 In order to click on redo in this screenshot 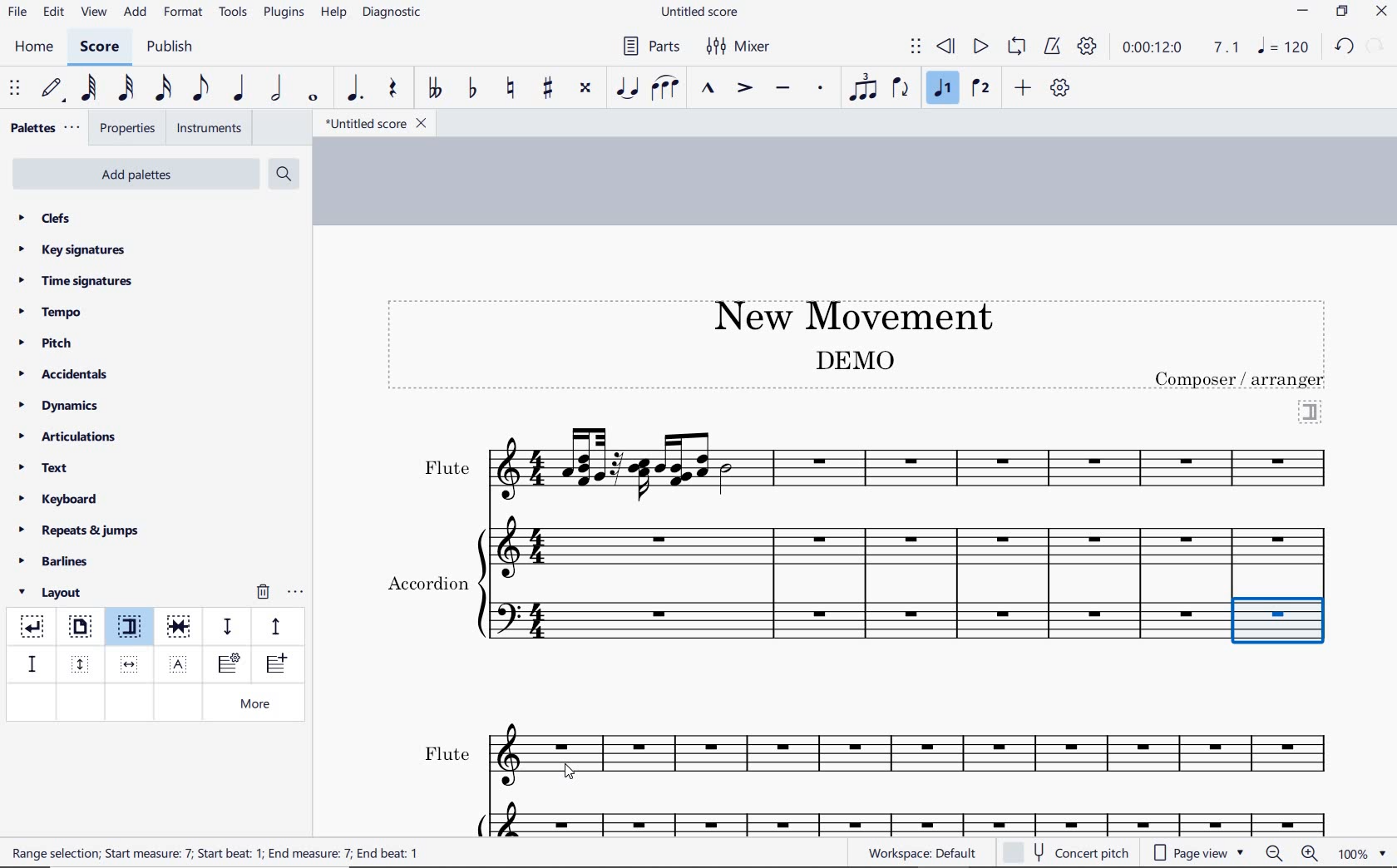, I will do `click(1377, 45)`.